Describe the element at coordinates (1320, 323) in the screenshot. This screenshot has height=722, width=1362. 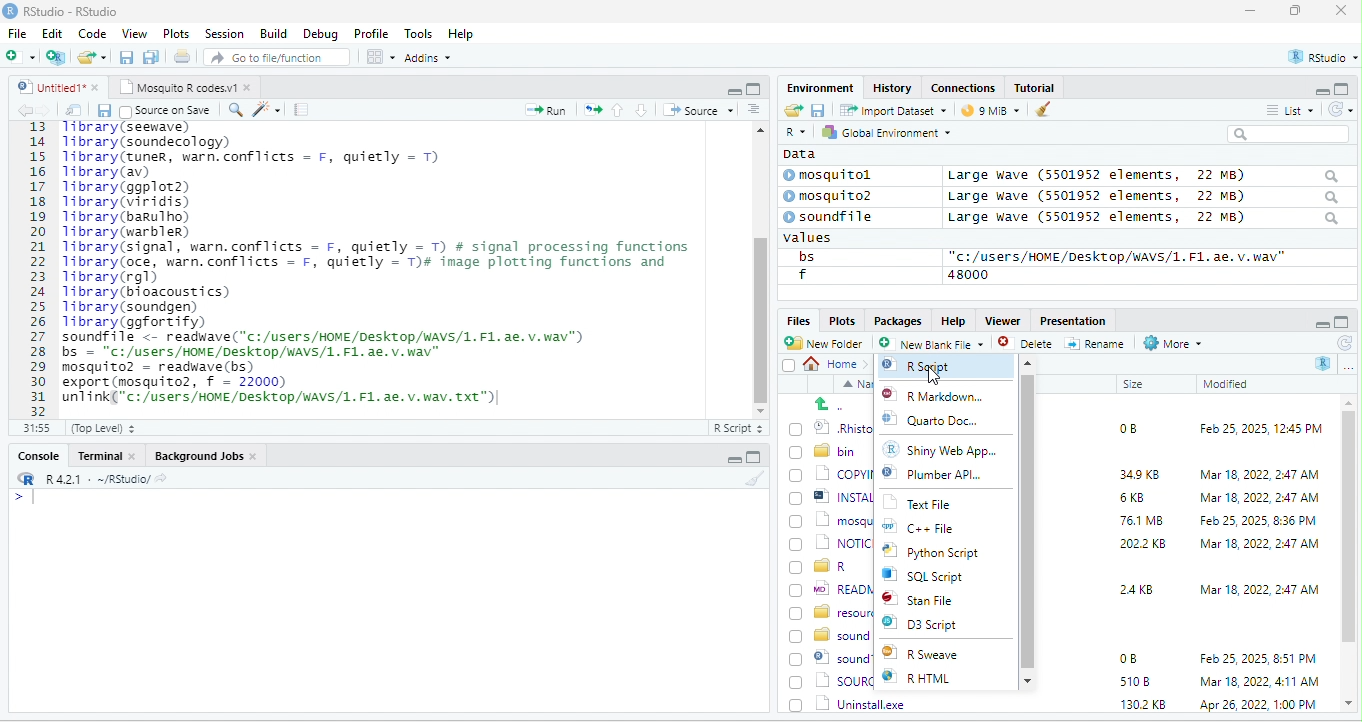
I see `minimize` at that location.